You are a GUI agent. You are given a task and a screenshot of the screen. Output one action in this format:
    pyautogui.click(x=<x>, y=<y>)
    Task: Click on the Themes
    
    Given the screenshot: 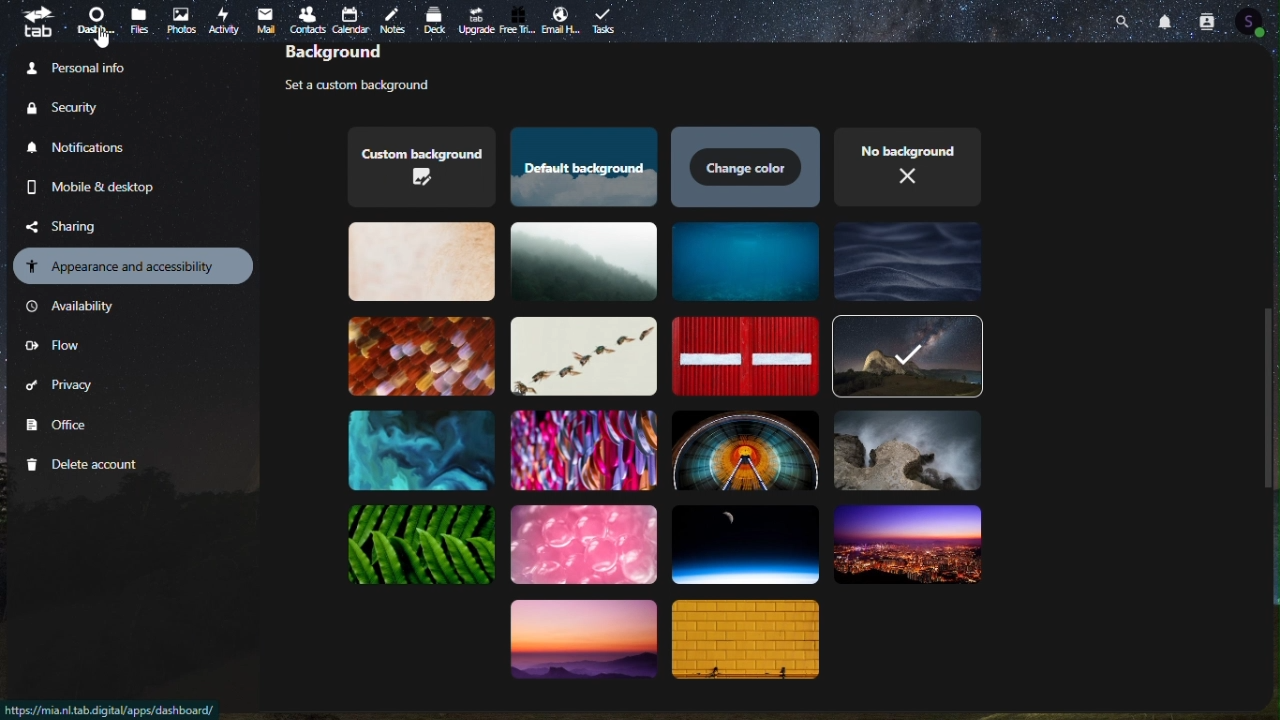 What is the action you would take?
    pyautogui.click(x=420, y=356)
    